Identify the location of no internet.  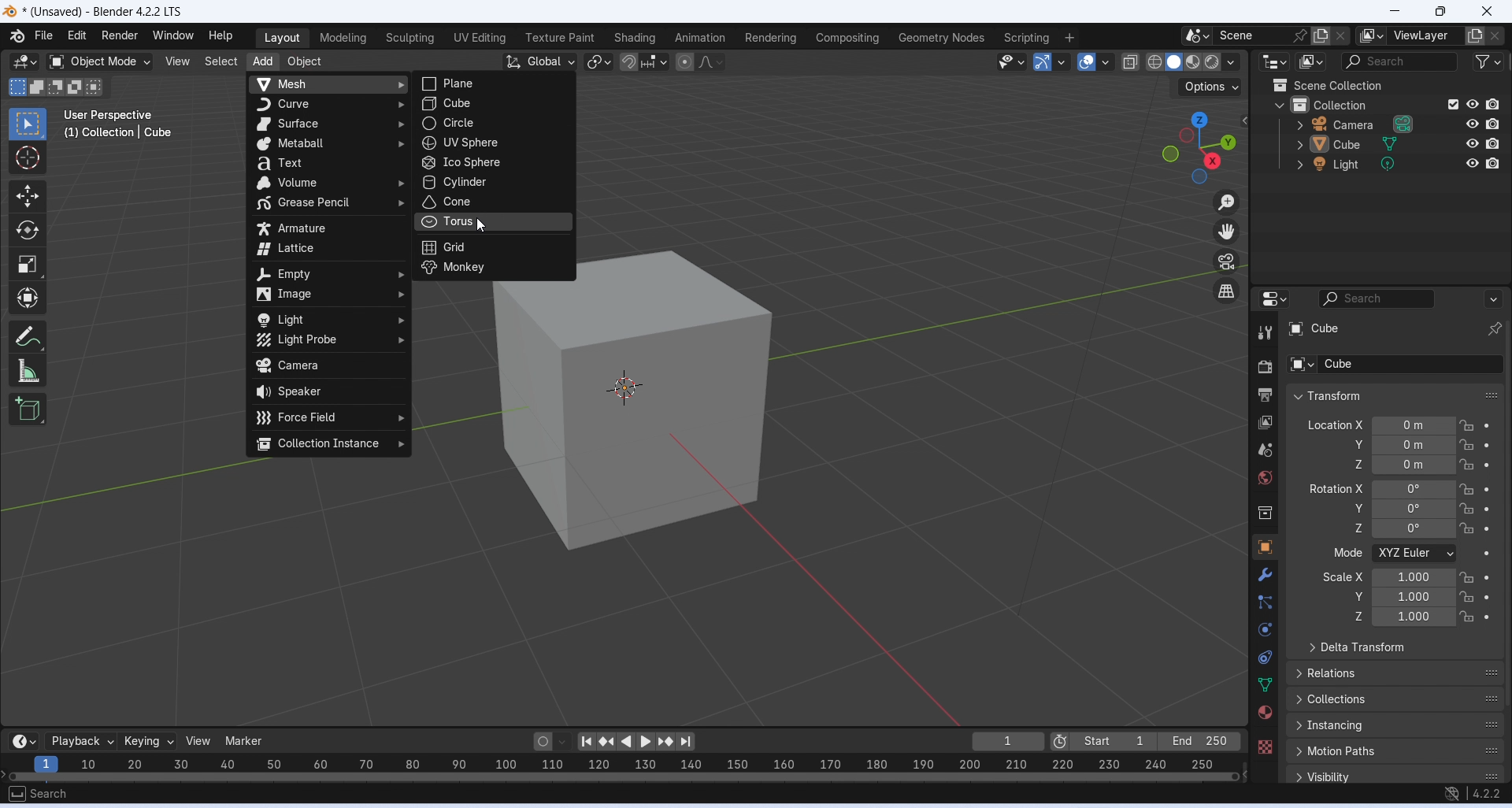
(1452, 795).